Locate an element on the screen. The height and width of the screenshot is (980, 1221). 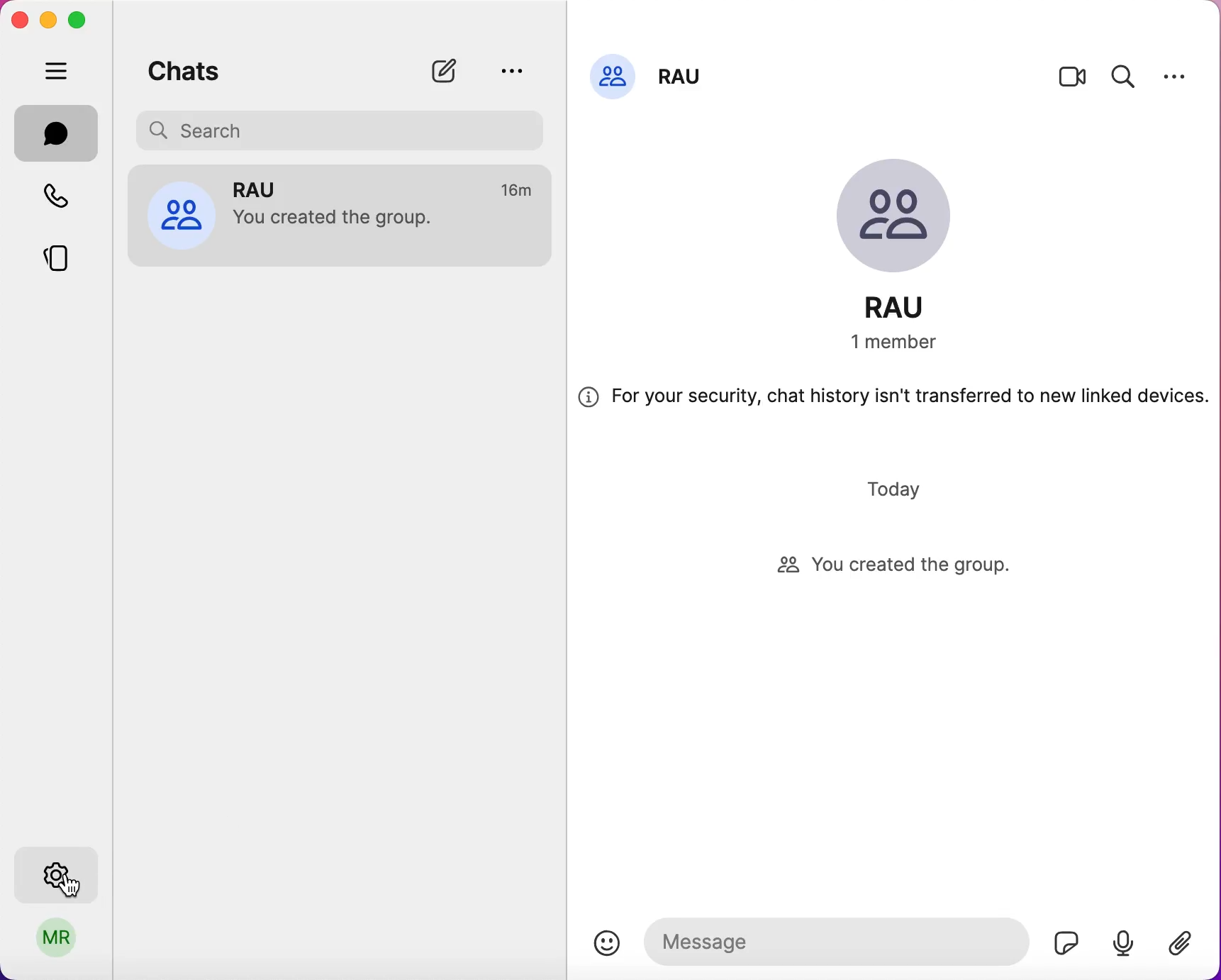
emoji is located at coordinates (607, 943).